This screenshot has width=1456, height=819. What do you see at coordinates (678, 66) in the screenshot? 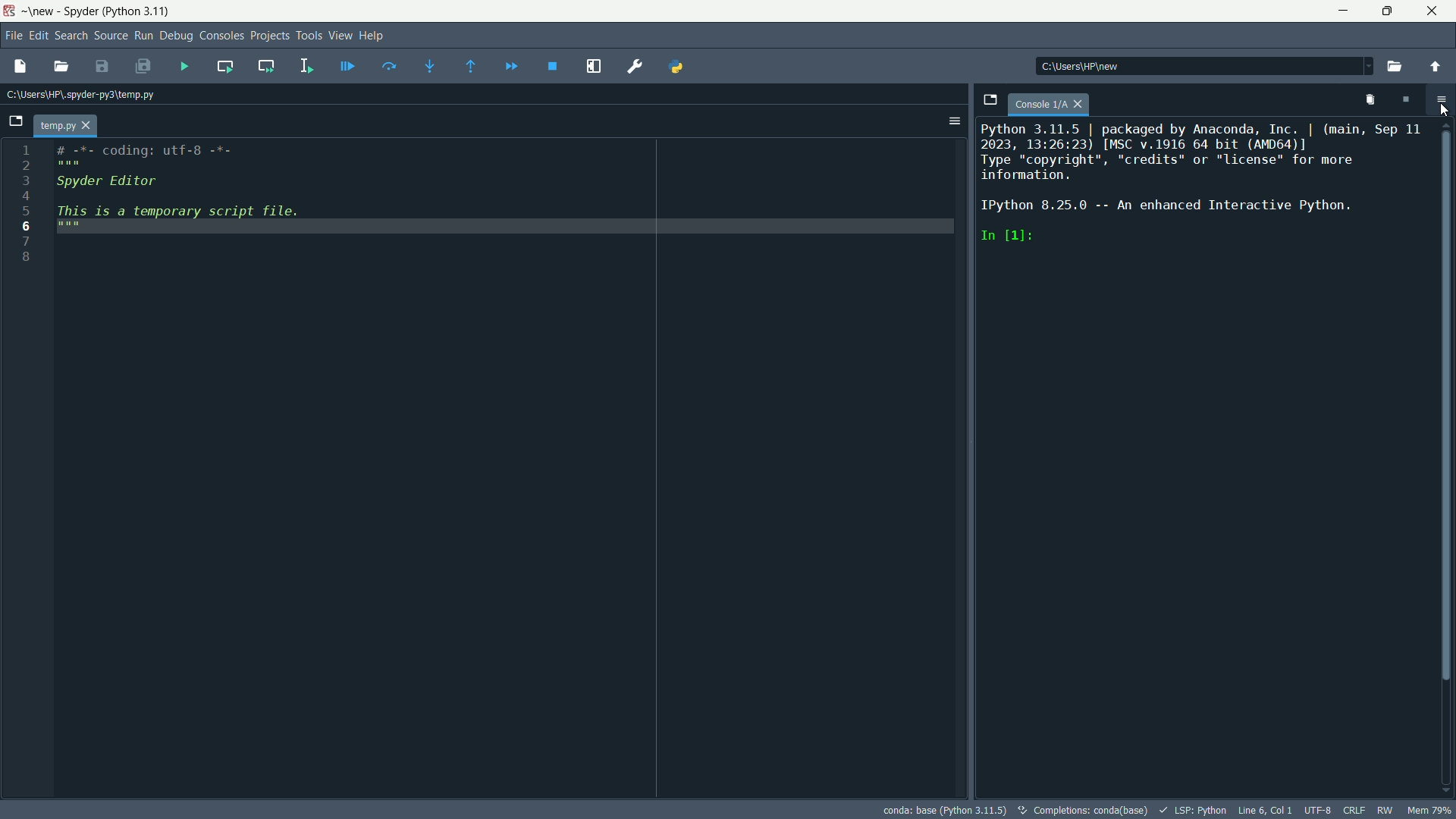
I see `PYTHONPATH manager` at bounding box center [678, 66].